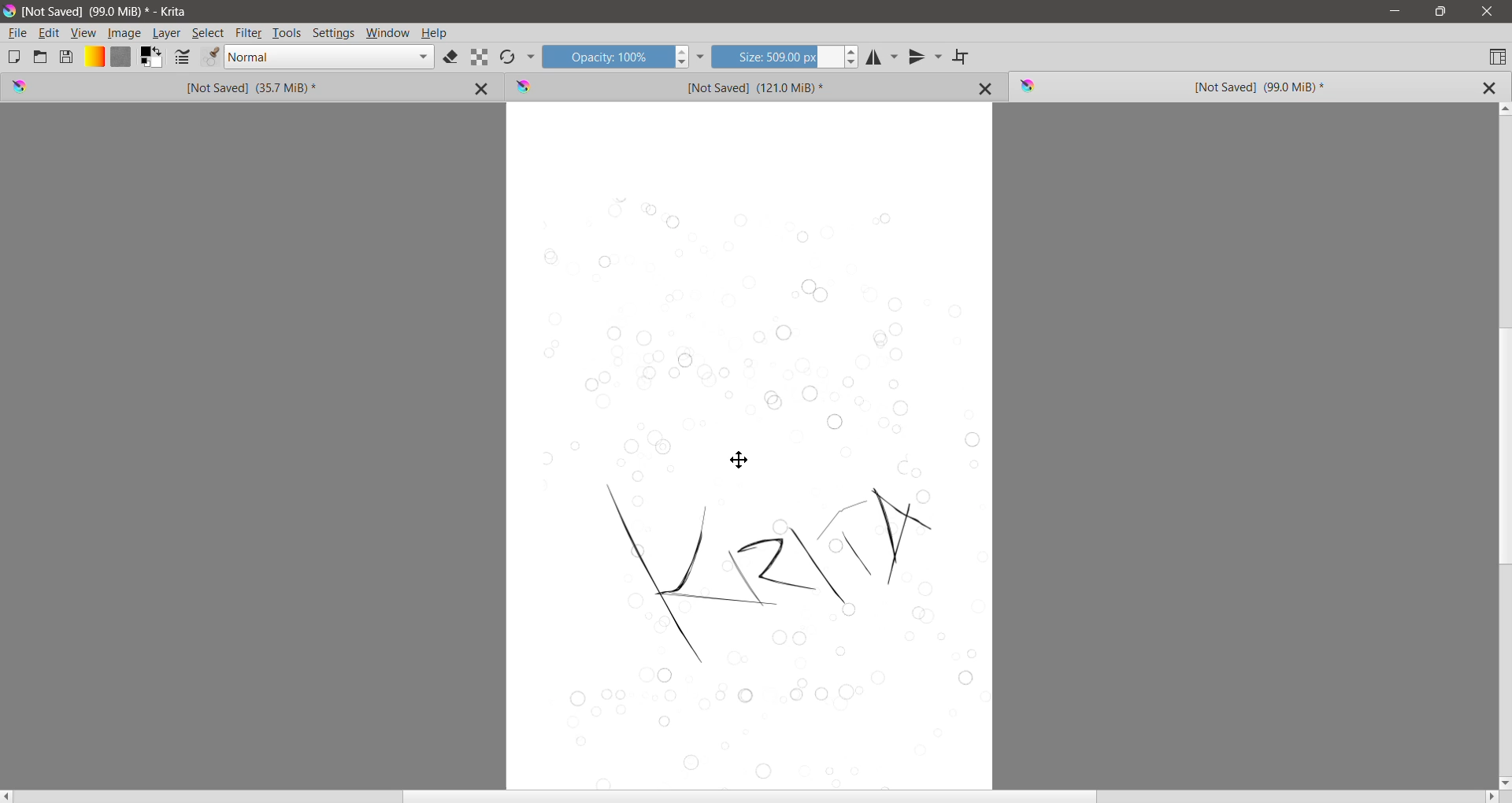 This screenshot has width=1512, height=803. What do you see at coordinates (1488, 88) in the screenshot?
I see `Close Tab` at bounding box center [1488, 88].